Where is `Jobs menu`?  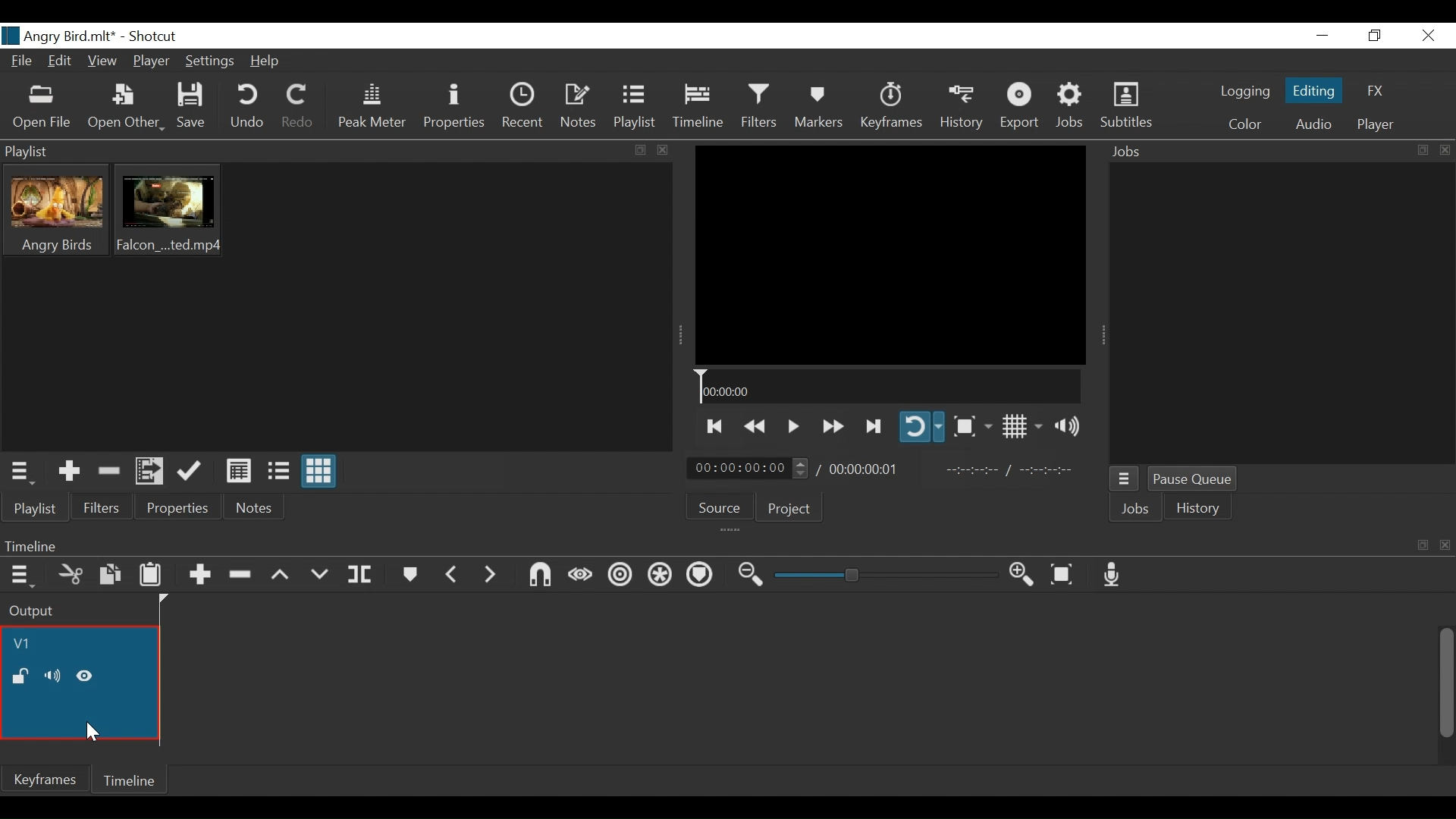 Jobs menu is located at coordinates (1125, 479).